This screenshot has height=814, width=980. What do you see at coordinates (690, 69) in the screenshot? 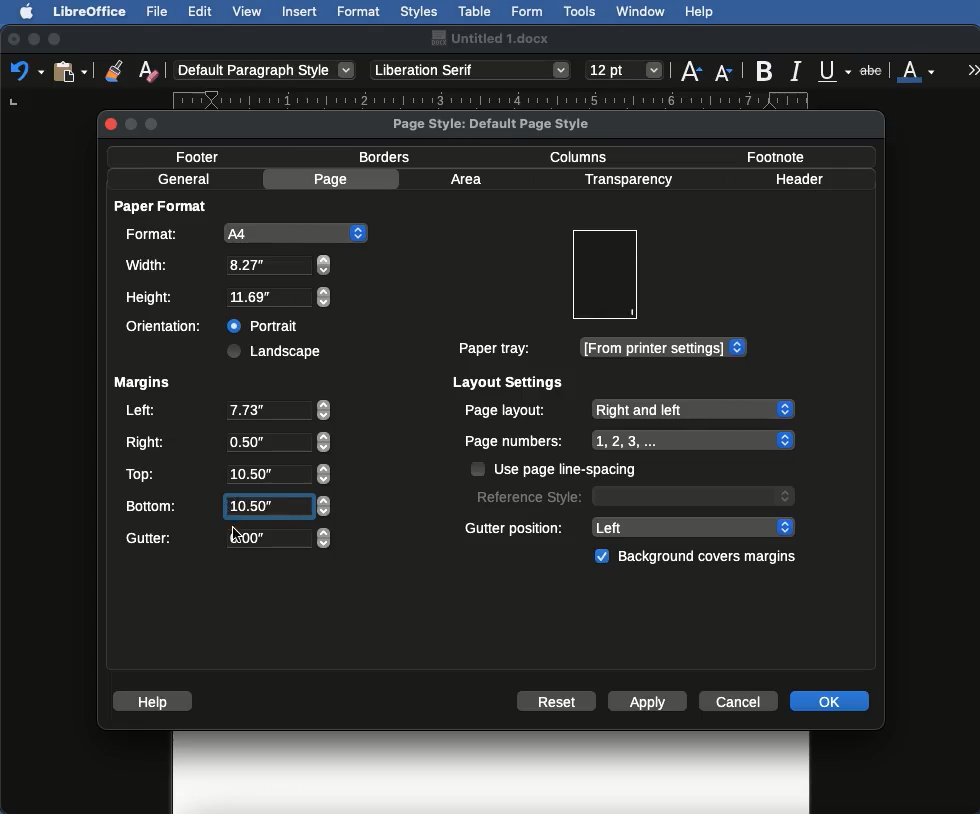
I see `Size increase` at bounding box center [690, 69].